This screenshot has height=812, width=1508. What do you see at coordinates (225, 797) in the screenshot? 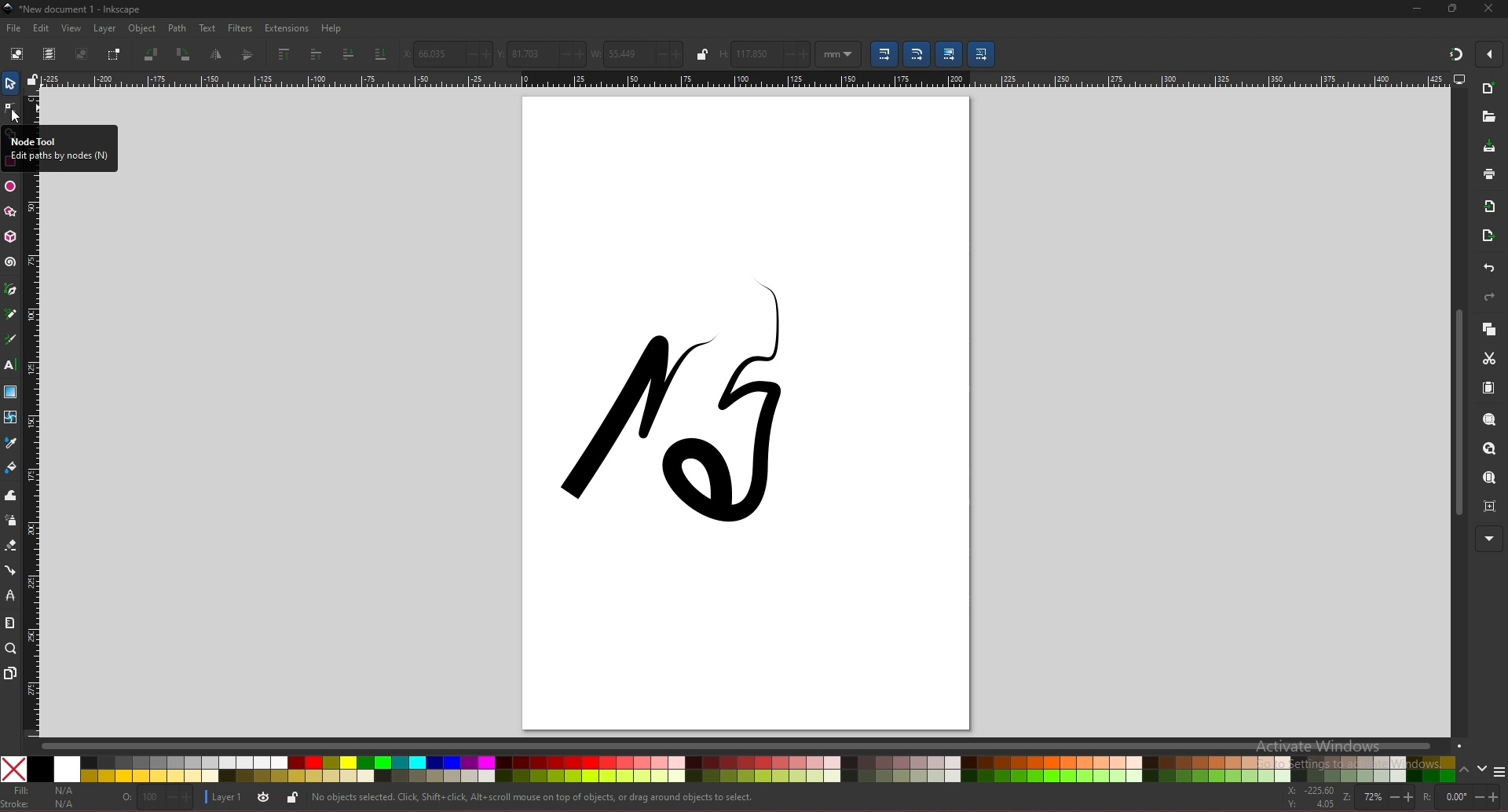
I see `layer` at bounding box center [225, 797].